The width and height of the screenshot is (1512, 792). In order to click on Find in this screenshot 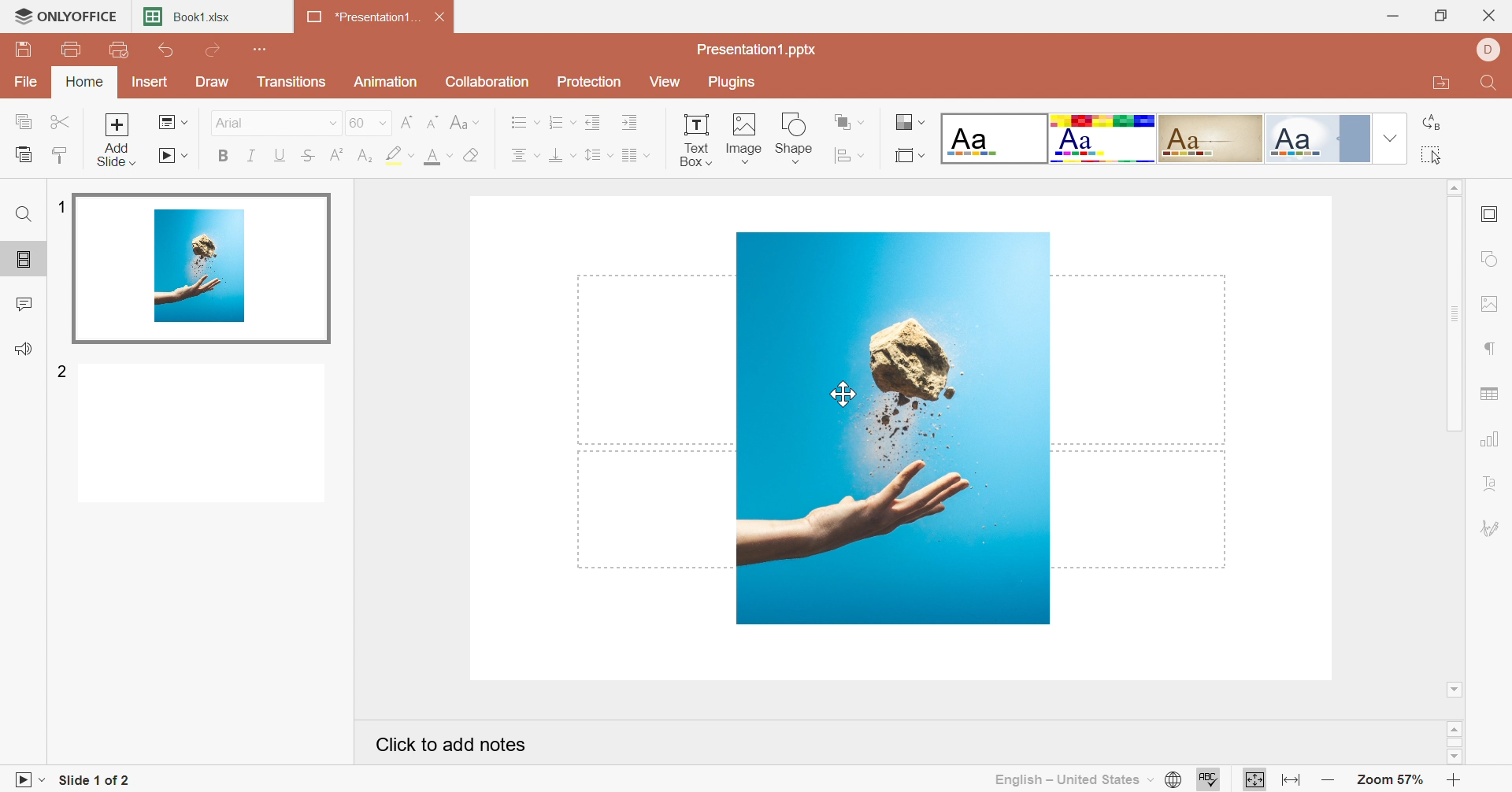, I will do `click(1492, 84)`.